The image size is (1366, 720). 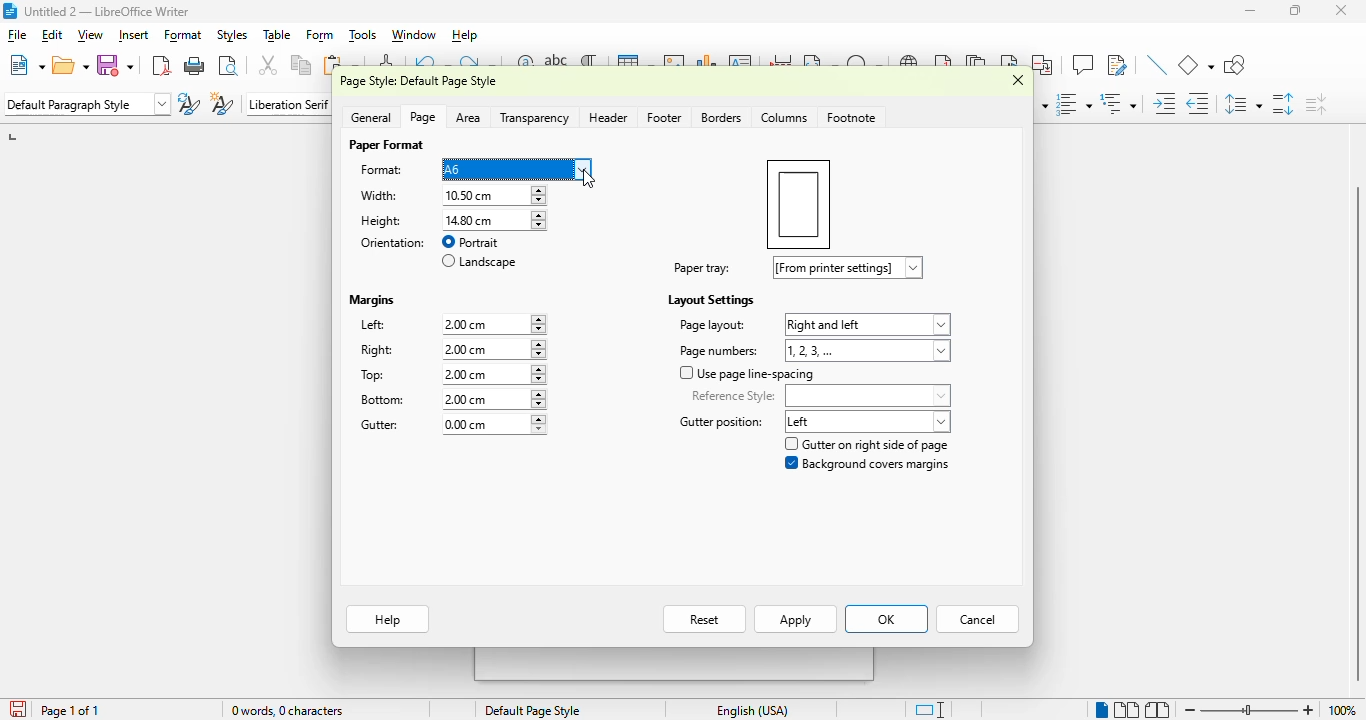 I want to click on single-page view, so click(x=1101, y=710).